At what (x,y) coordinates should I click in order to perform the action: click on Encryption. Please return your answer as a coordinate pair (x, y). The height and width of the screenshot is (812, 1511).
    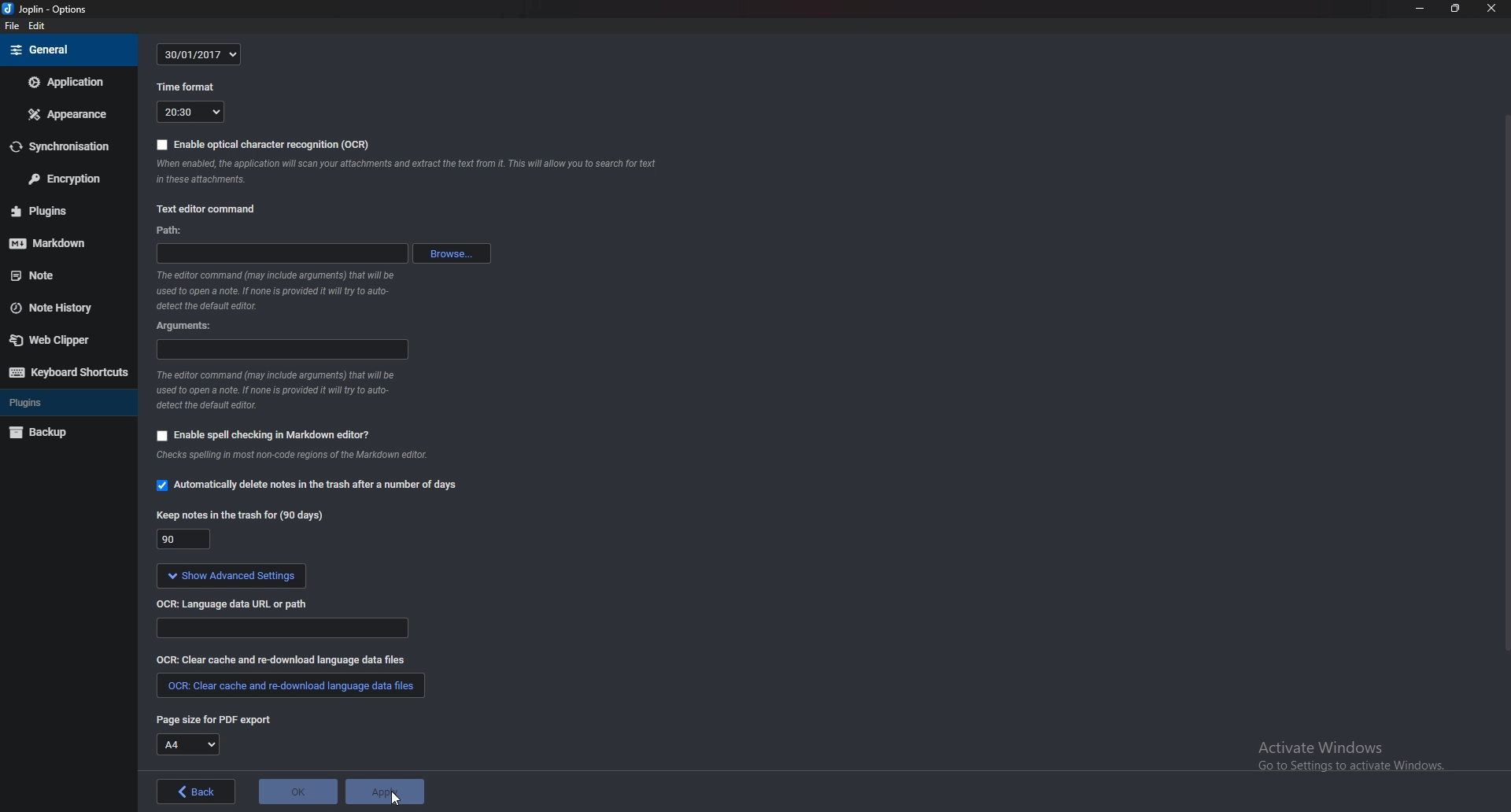
    Looking at the image, I should click on (64, 179).